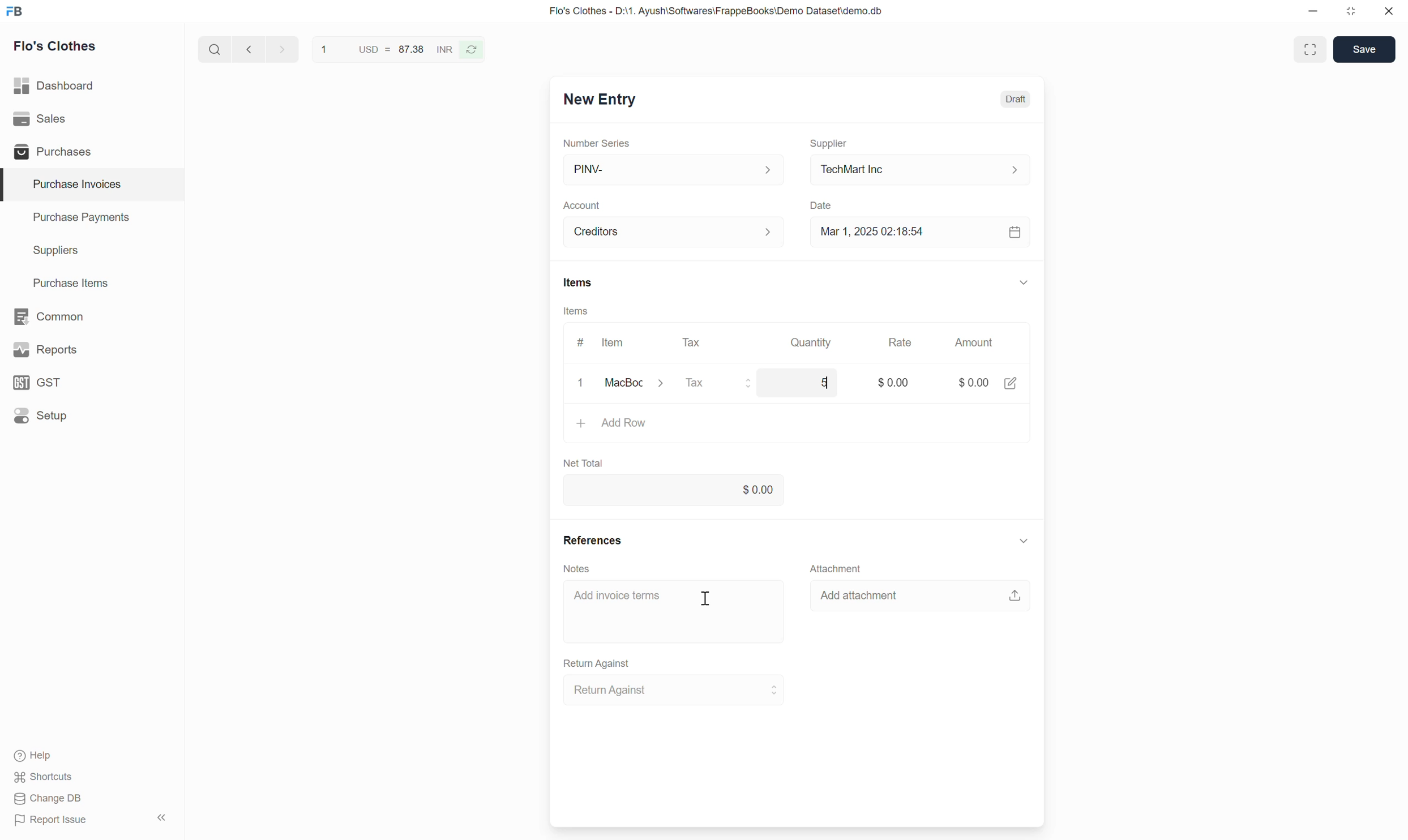  What do you see at coordinates (695, 342) in the screenshot?
I see `Tax` at bounding box center [695, 342].